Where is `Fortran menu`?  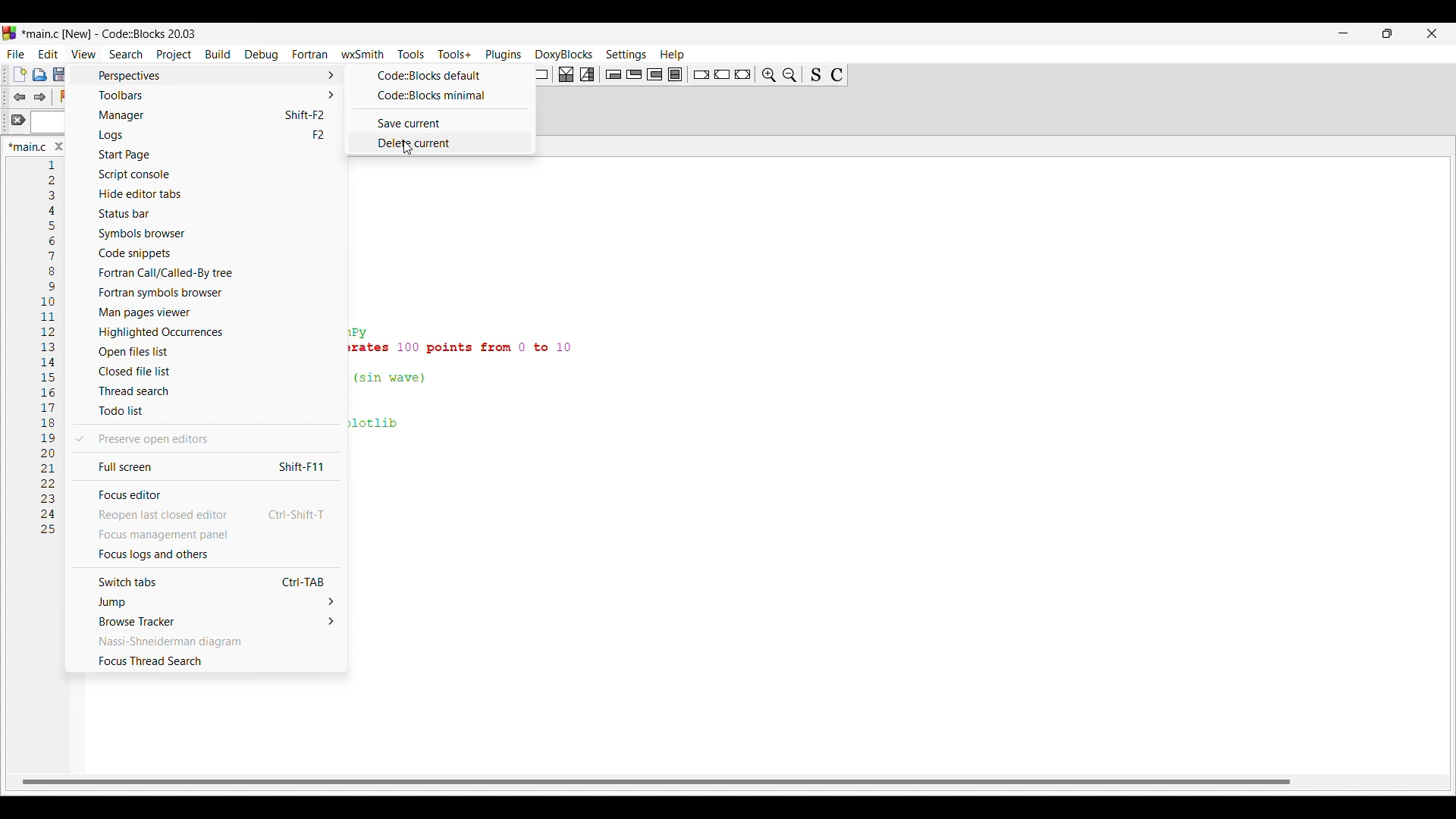 Fortran menu is located at coordinates (310, 54).